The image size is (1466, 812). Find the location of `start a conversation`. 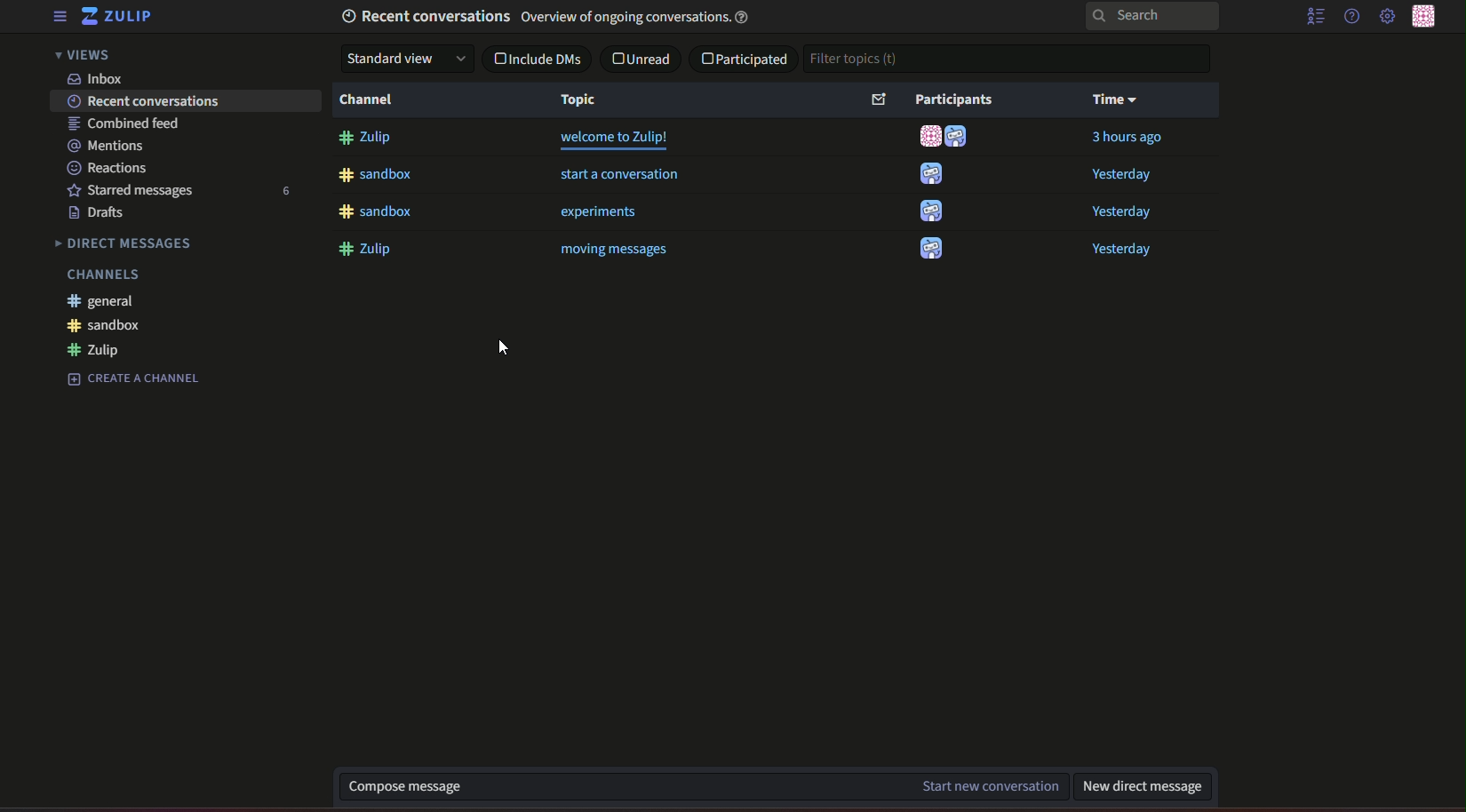

start a conversation is located at coordinates (618, 176).